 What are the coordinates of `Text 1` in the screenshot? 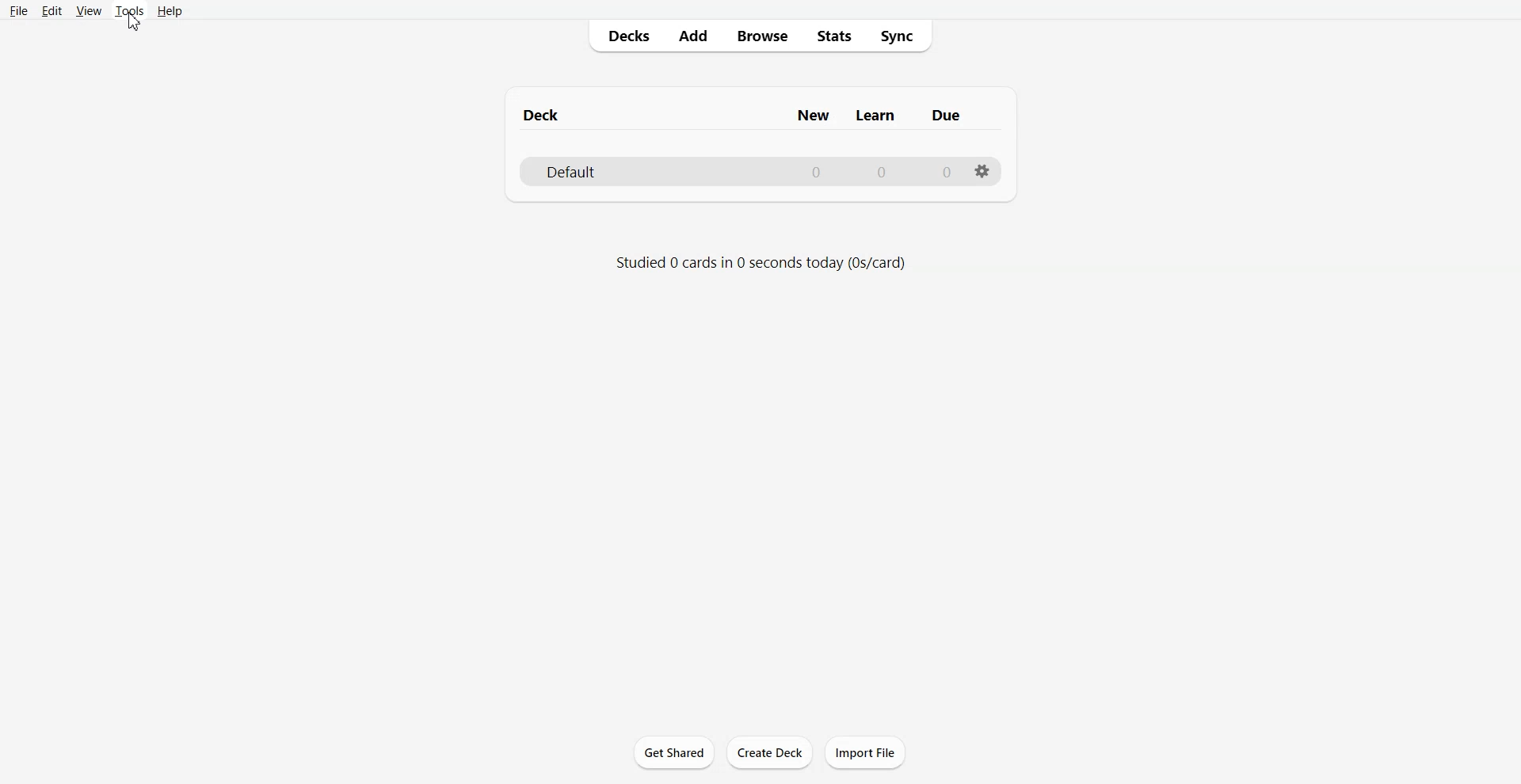 It's located at (747, 112).